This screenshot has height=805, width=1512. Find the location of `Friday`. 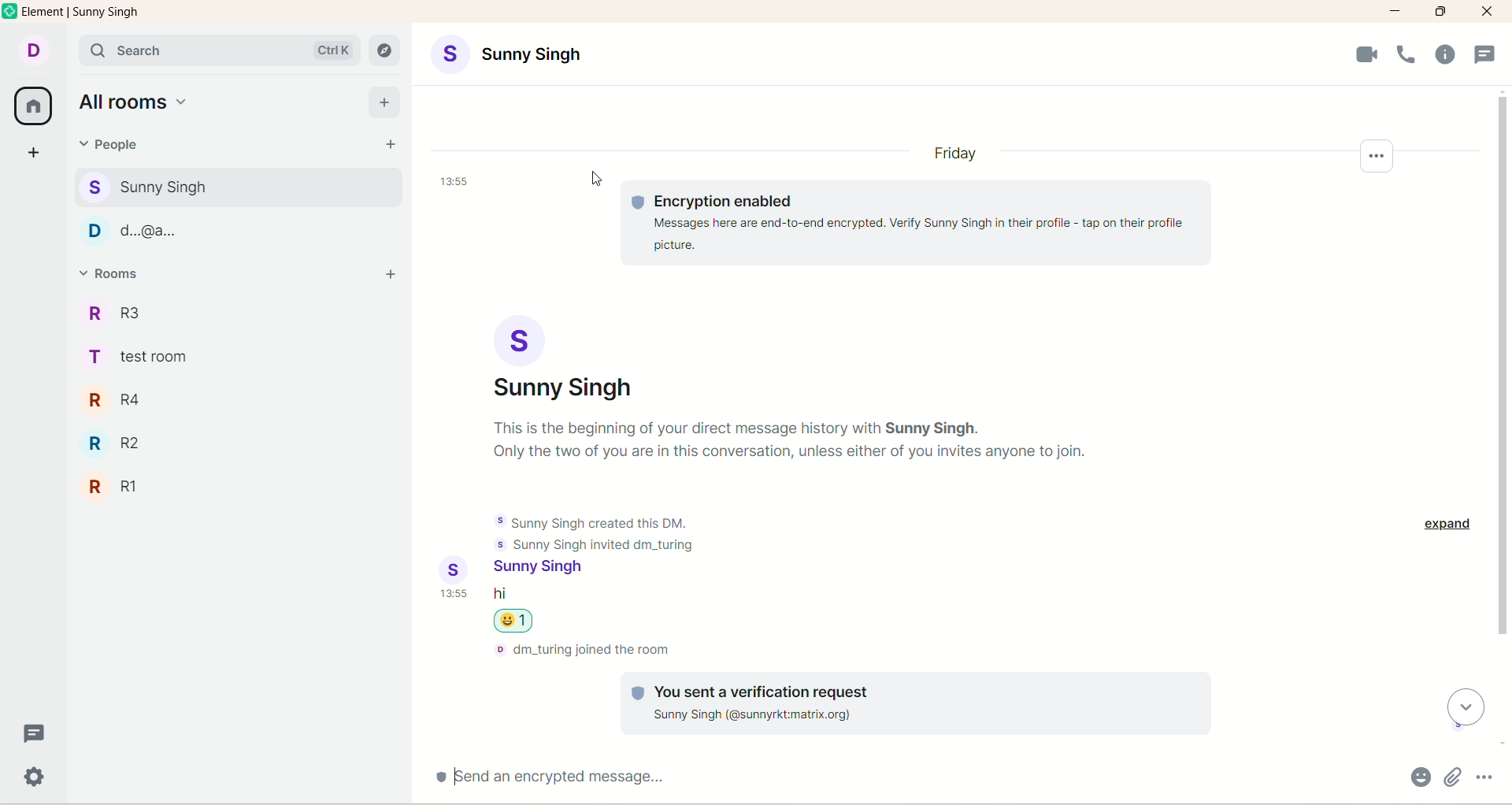

Friday is located at coordinates (955, 153).